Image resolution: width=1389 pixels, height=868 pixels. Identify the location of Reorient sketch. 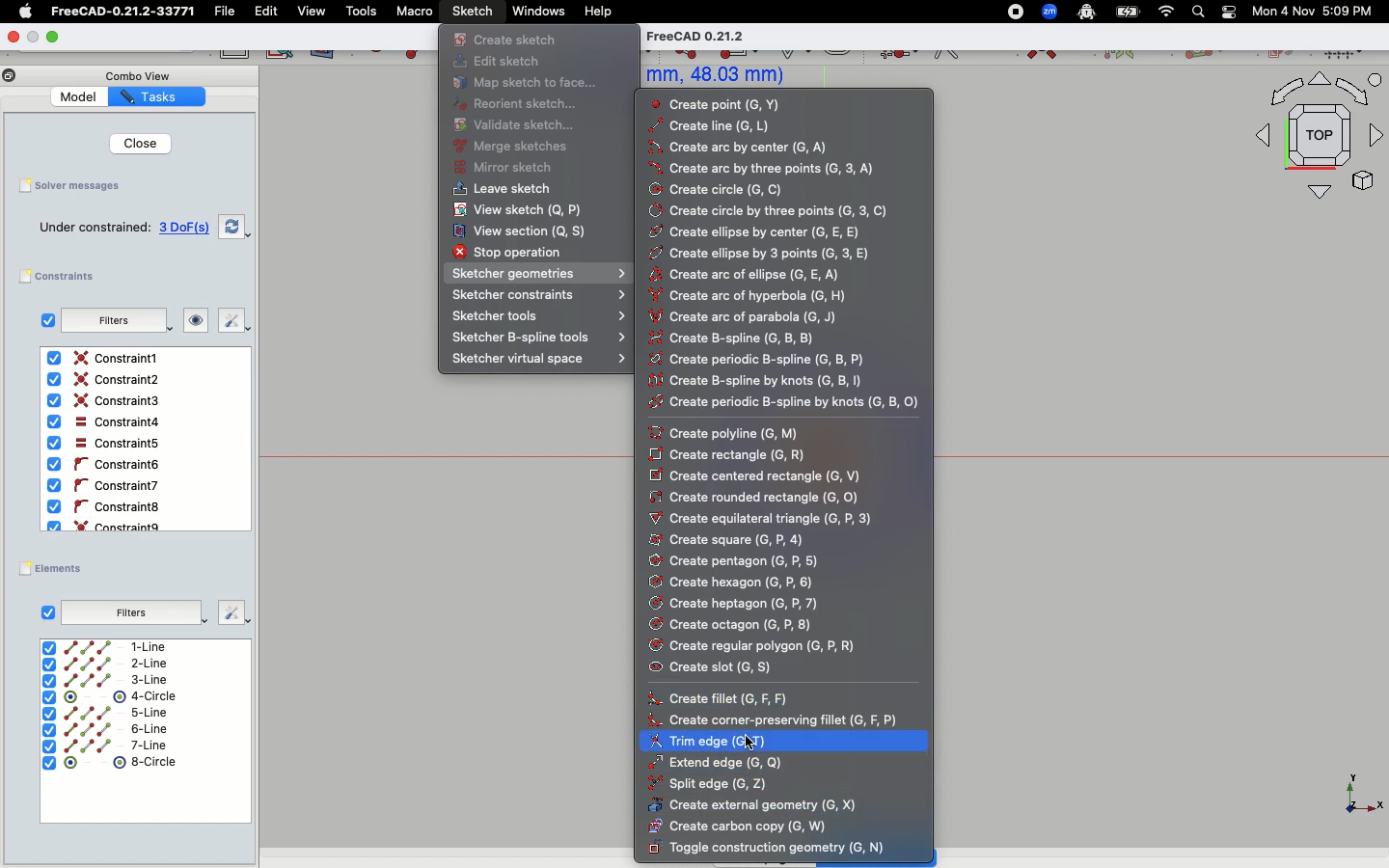
(531, 102).